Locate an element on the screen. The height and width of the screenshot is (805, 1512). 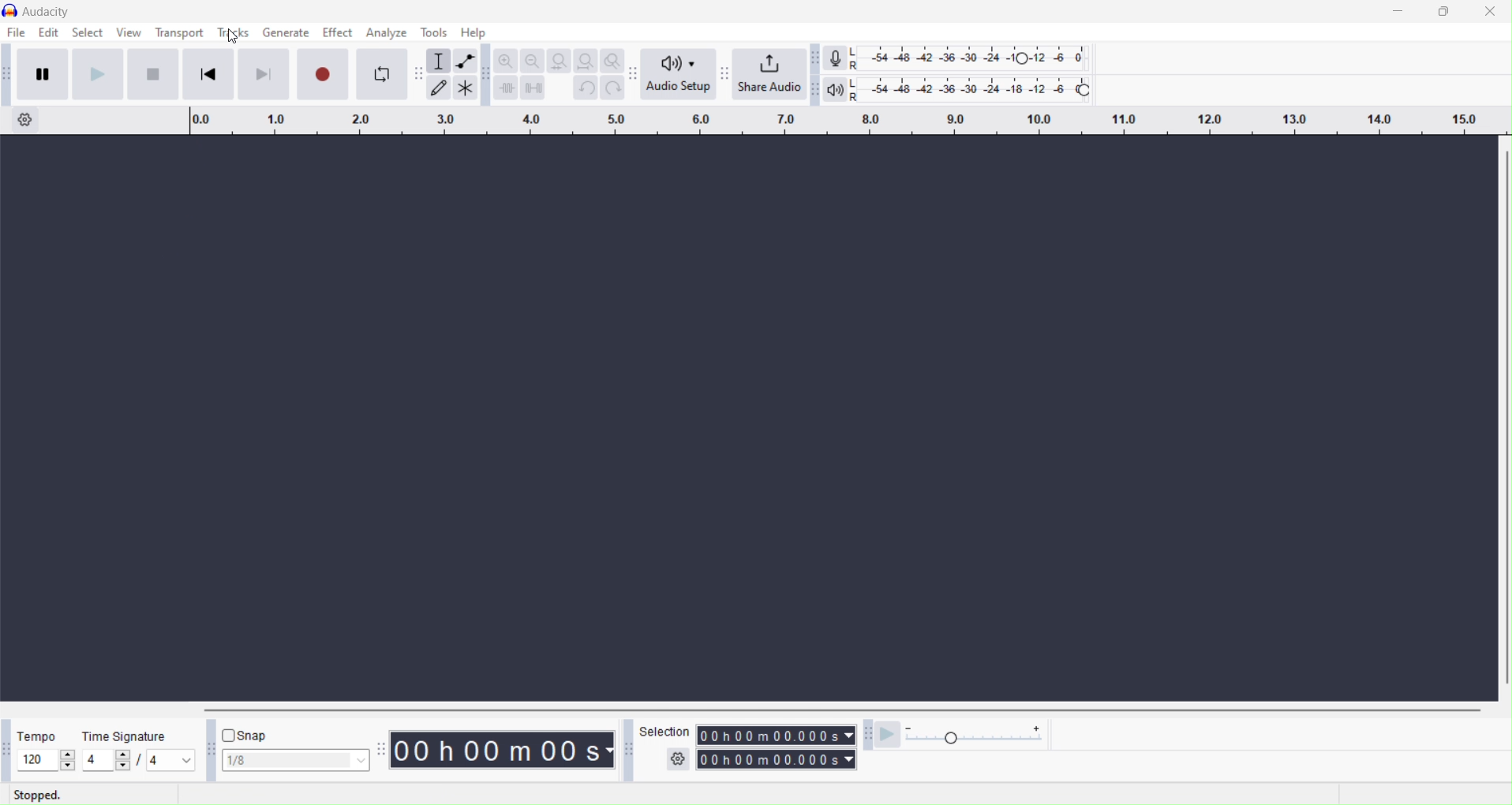
Time signature is located at coordinates (123, 736).